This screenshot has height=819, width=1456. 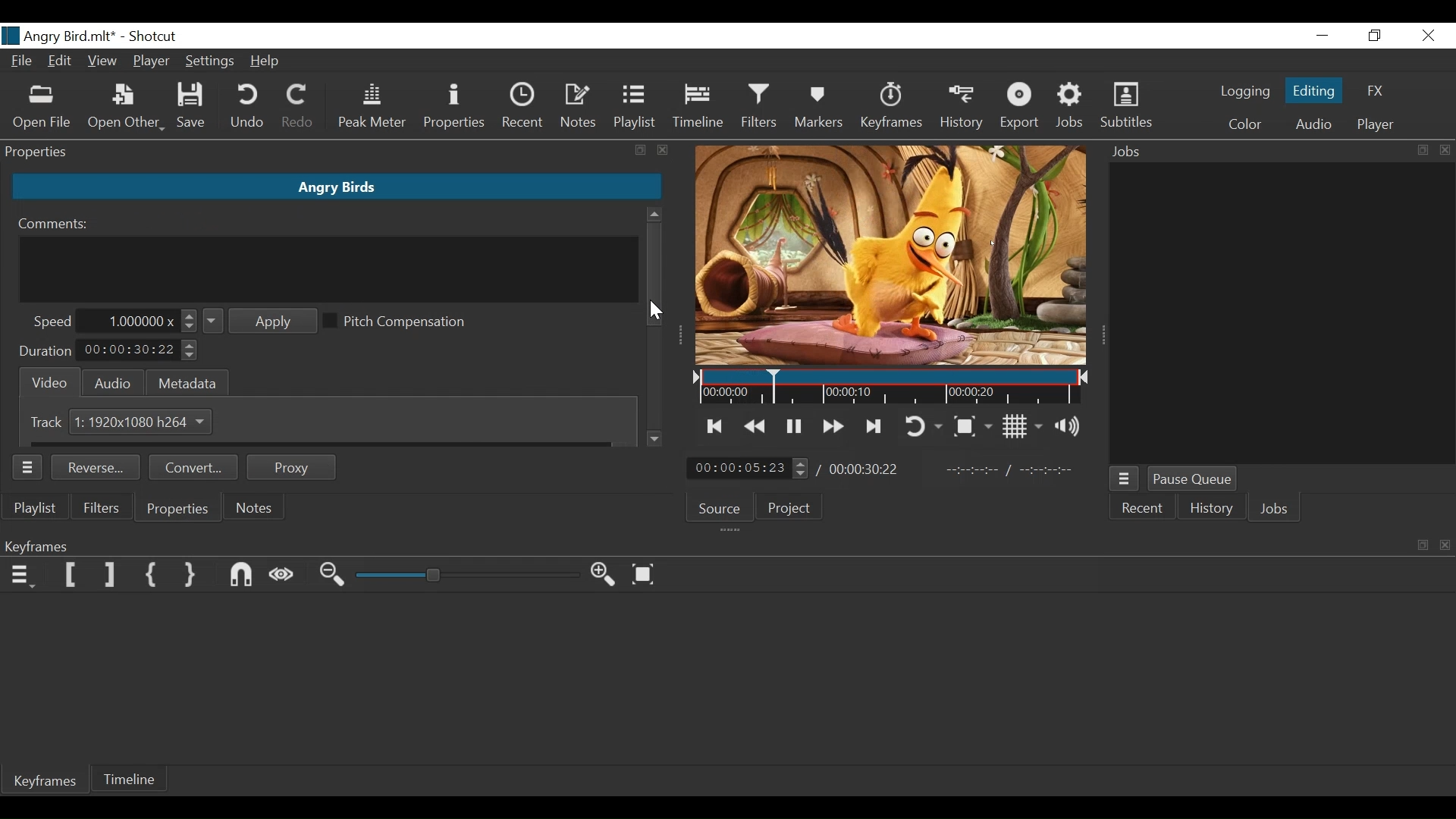 What do you see at coordinates (697, 109) in the screenshot?
I see `Timeline` at bounding box center [697, 109].